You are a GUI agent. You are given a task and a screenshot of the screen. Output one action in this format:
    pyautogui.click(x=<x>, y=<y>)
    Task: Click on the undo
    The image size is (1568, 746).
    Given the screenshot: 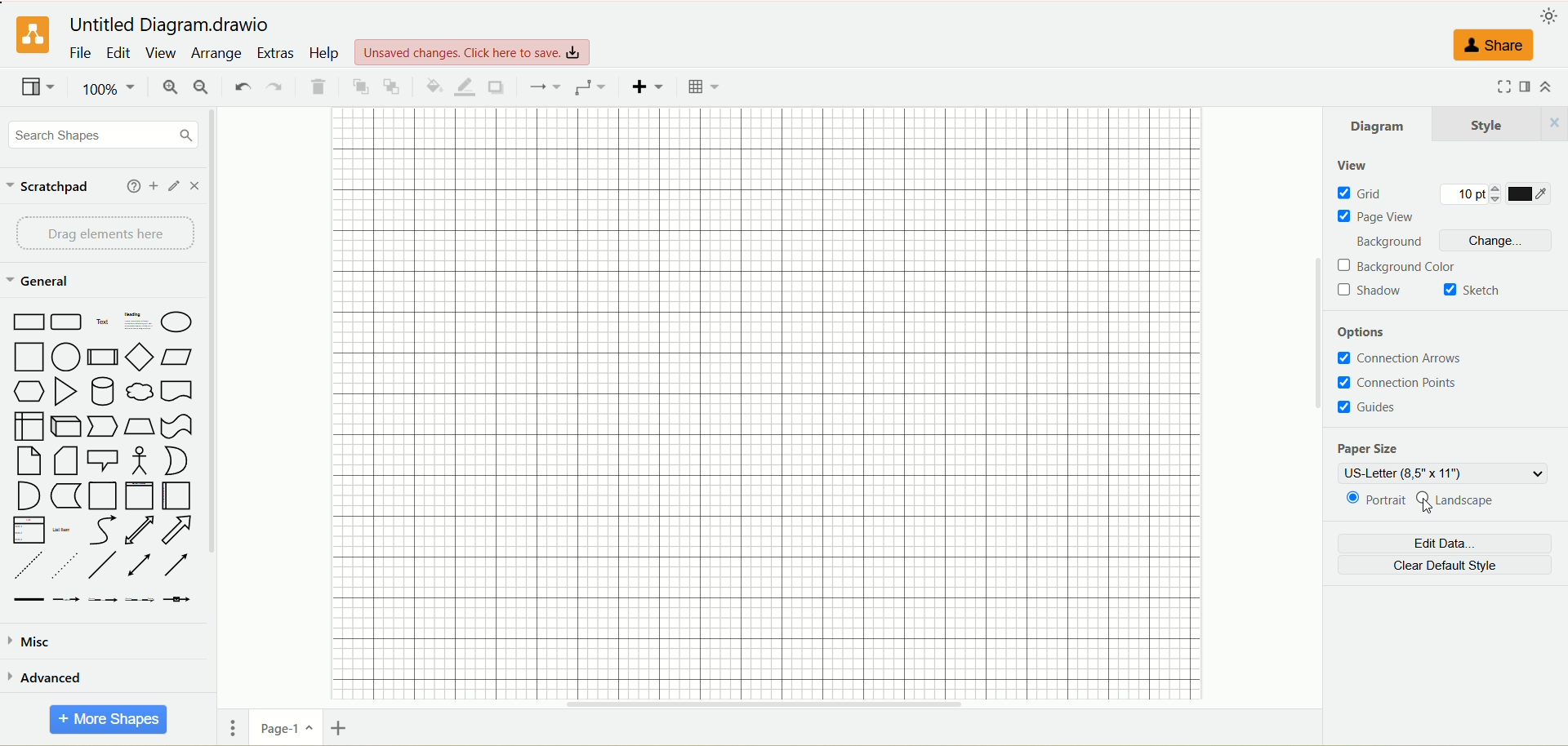 What is the action you would take?
    pyautogui.click(x=242, y=86)
    